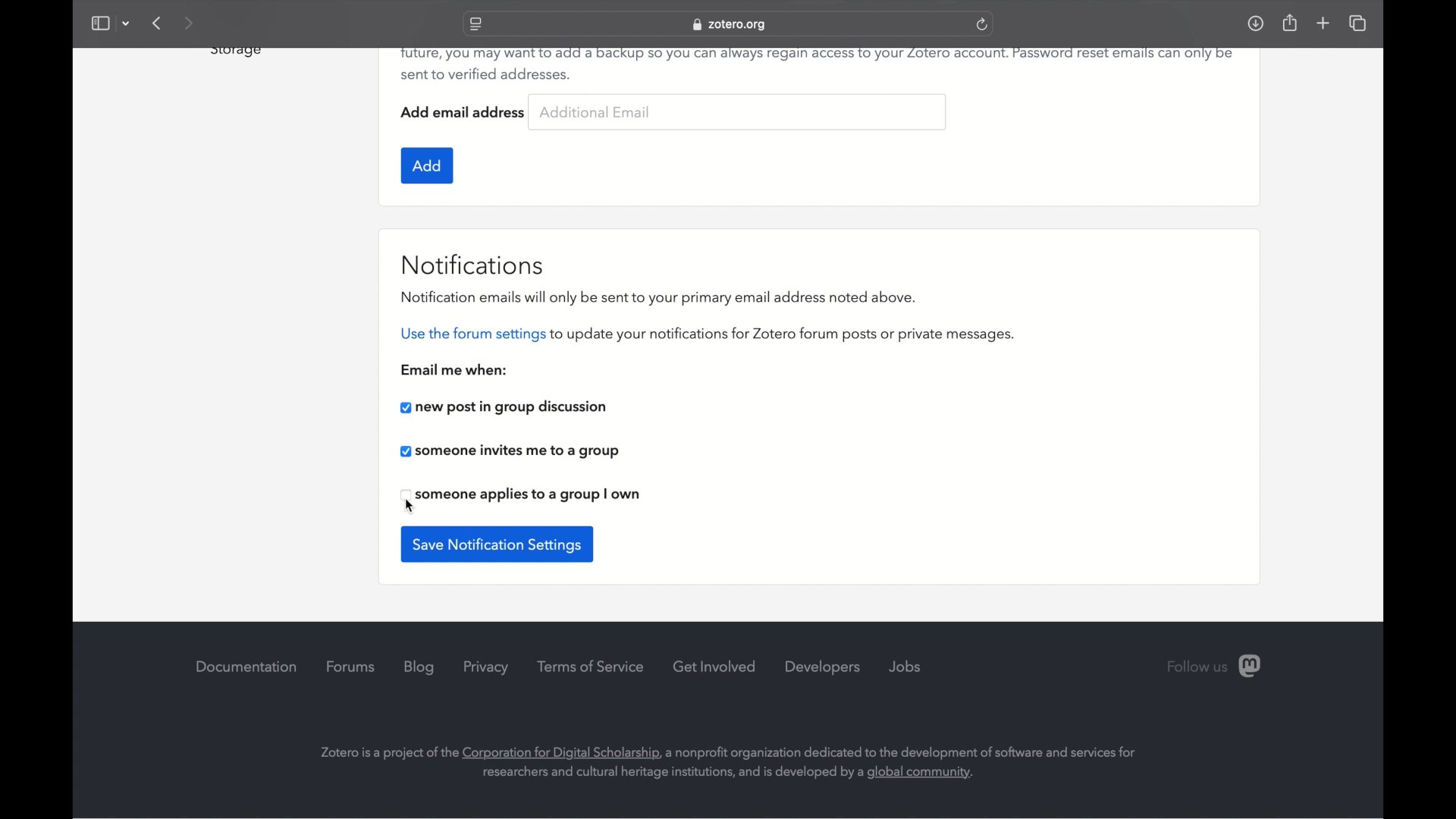 Image resolution: width=1456 pixels, height=819 pixels. What do you see at coordinates (519, 494) in the screenshot?
I see `someone applies to a group i own` at bounding box center [519, 494].